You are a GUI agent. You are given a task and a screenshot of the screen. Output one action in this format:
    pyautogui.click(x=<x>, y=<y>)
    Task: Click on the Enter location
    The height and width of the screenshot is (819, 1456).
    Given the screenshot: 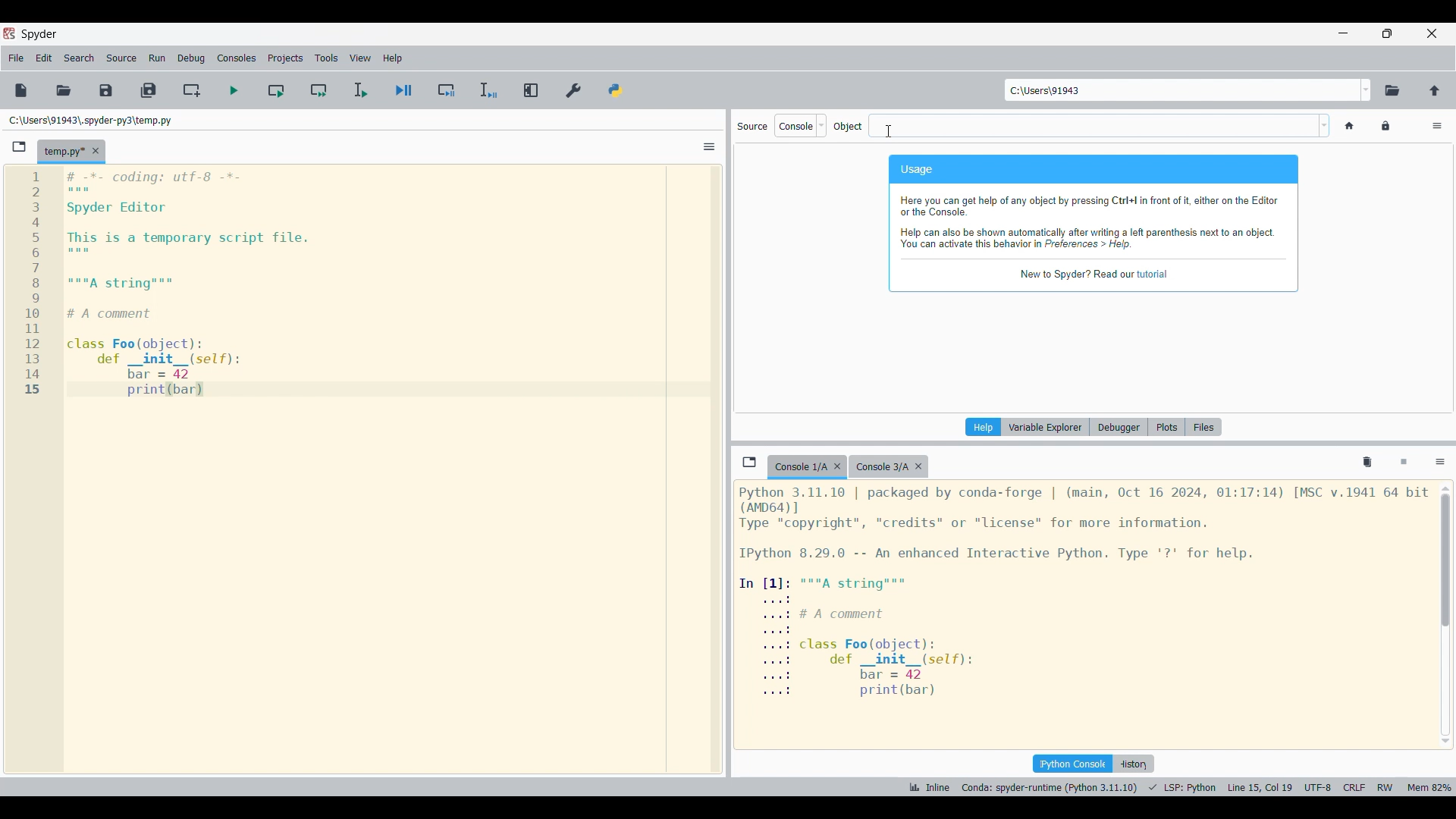 What is the action you would take?
    pyautogui.click(x=1182, y=90)
    